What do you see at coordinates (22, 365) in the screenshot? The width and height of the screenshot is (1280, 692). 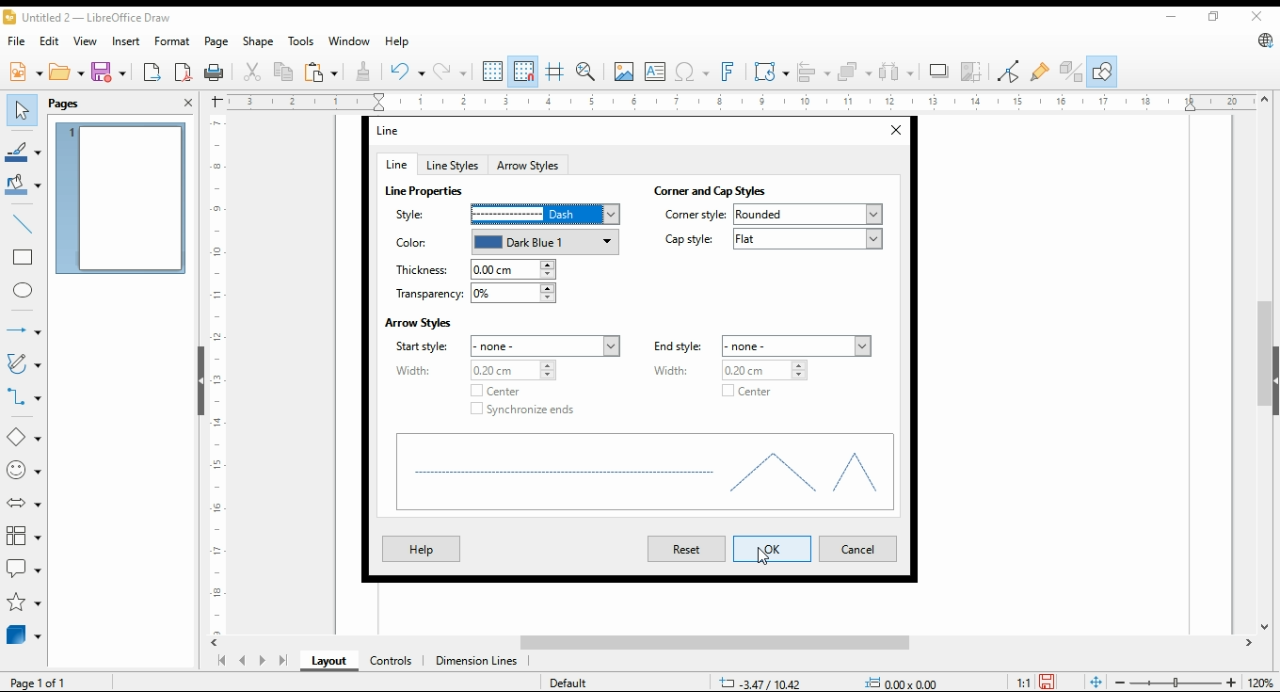 I see `curves and polygons` at bounding box center [22, 365].